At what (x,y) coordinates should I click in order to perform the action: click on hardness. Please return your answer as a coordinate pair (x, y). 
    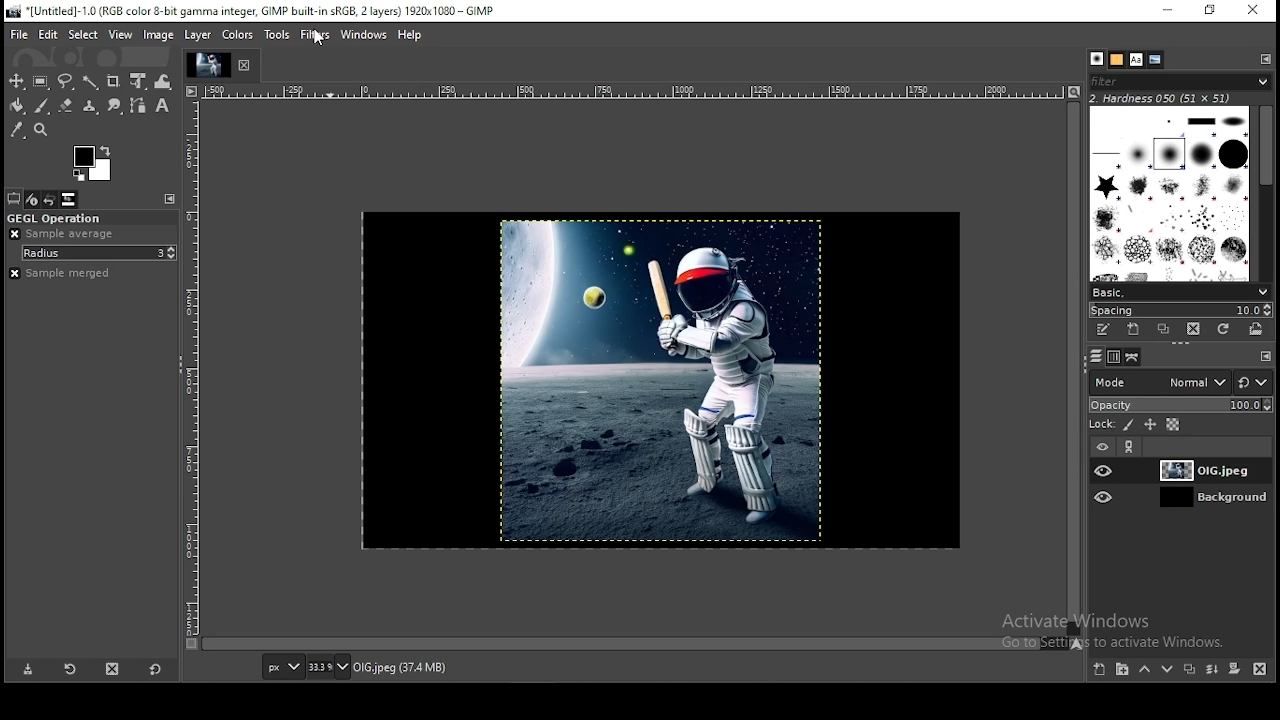
    Looking at the image, I should click on (1175, 98).